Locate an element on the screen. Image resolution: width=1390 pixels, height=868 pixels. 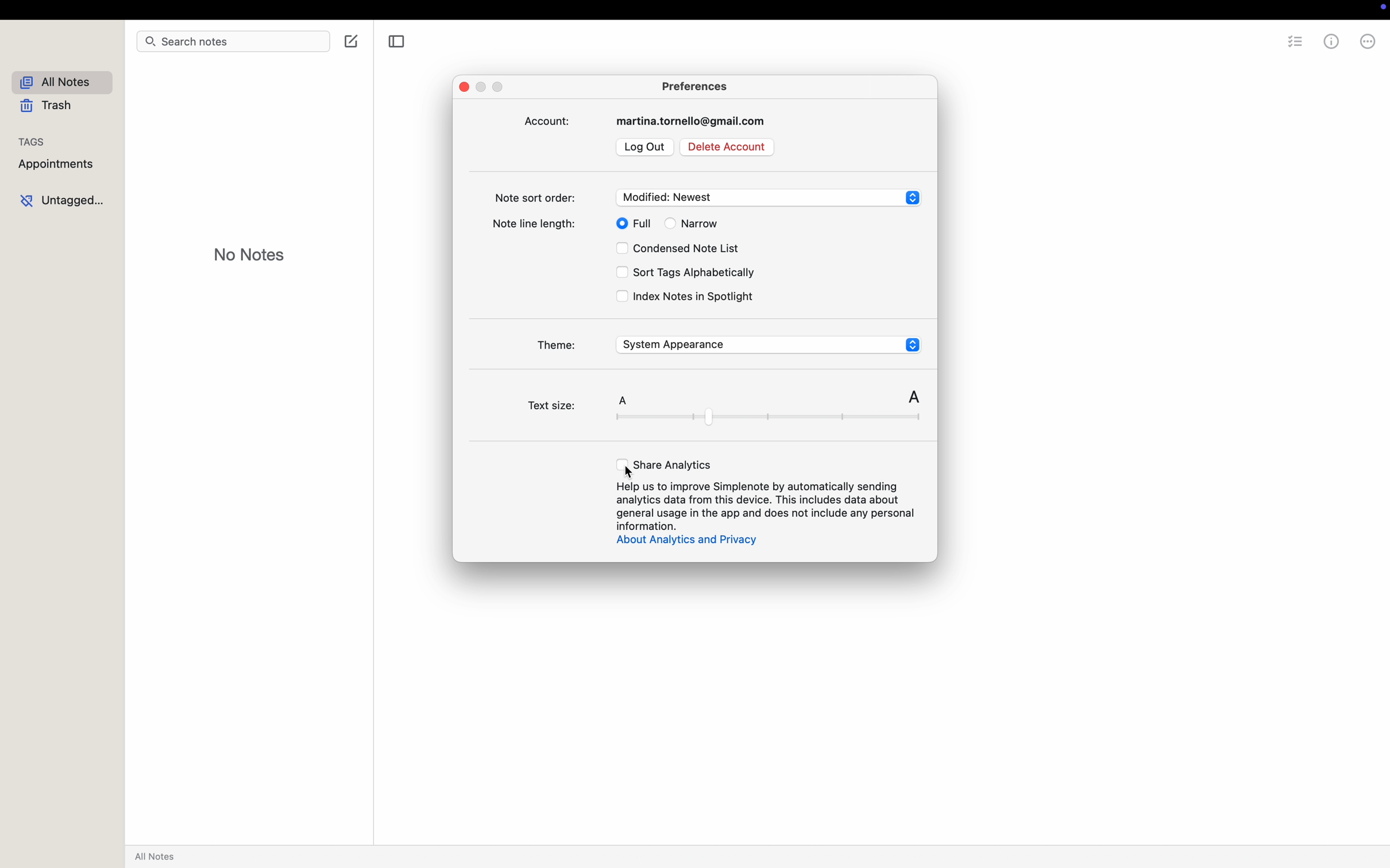
click on share analytics is located at coordinates (681, 466).